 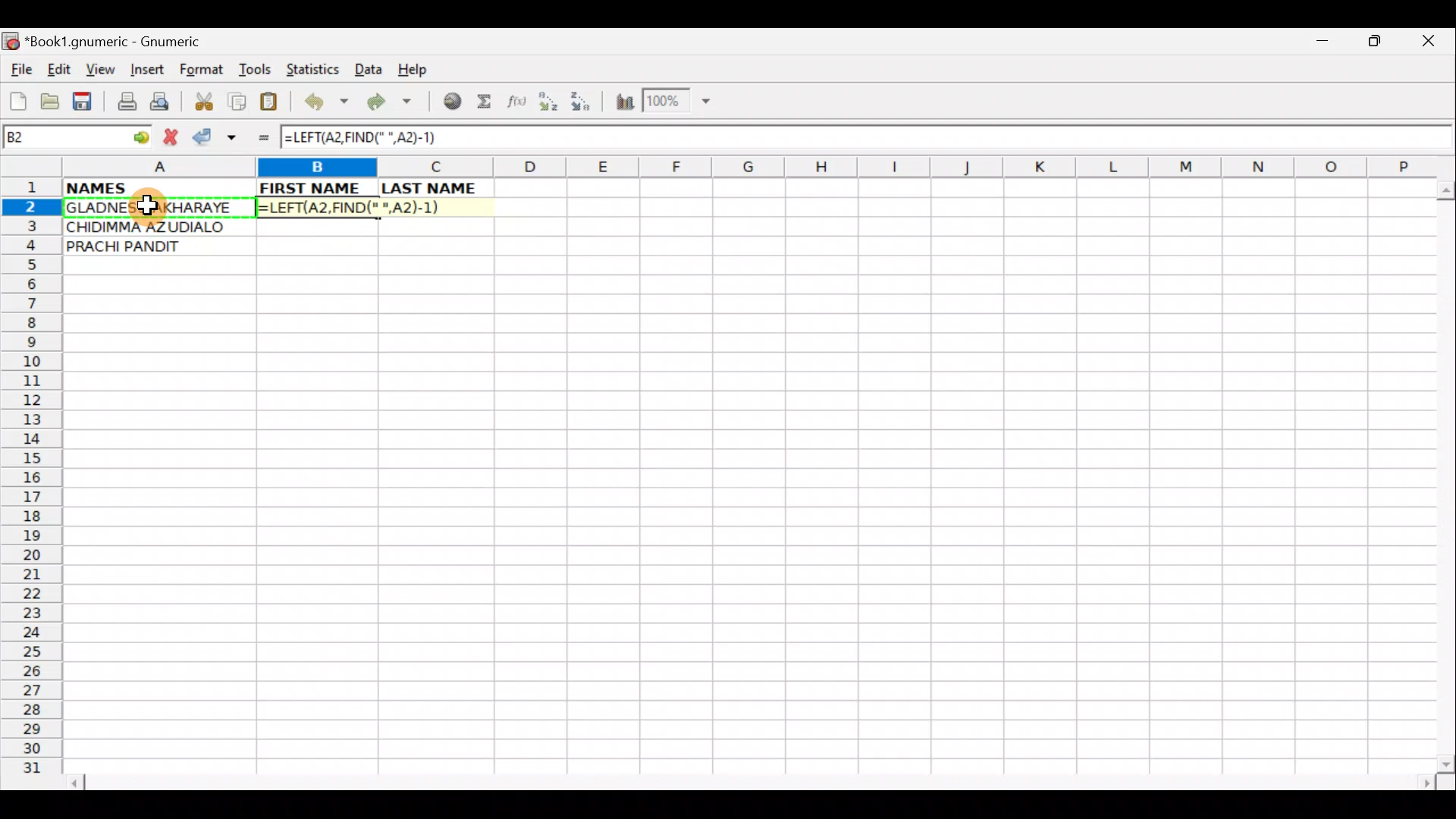 I want to click on PRACHI PANDIT, so click(x=147, y=247).